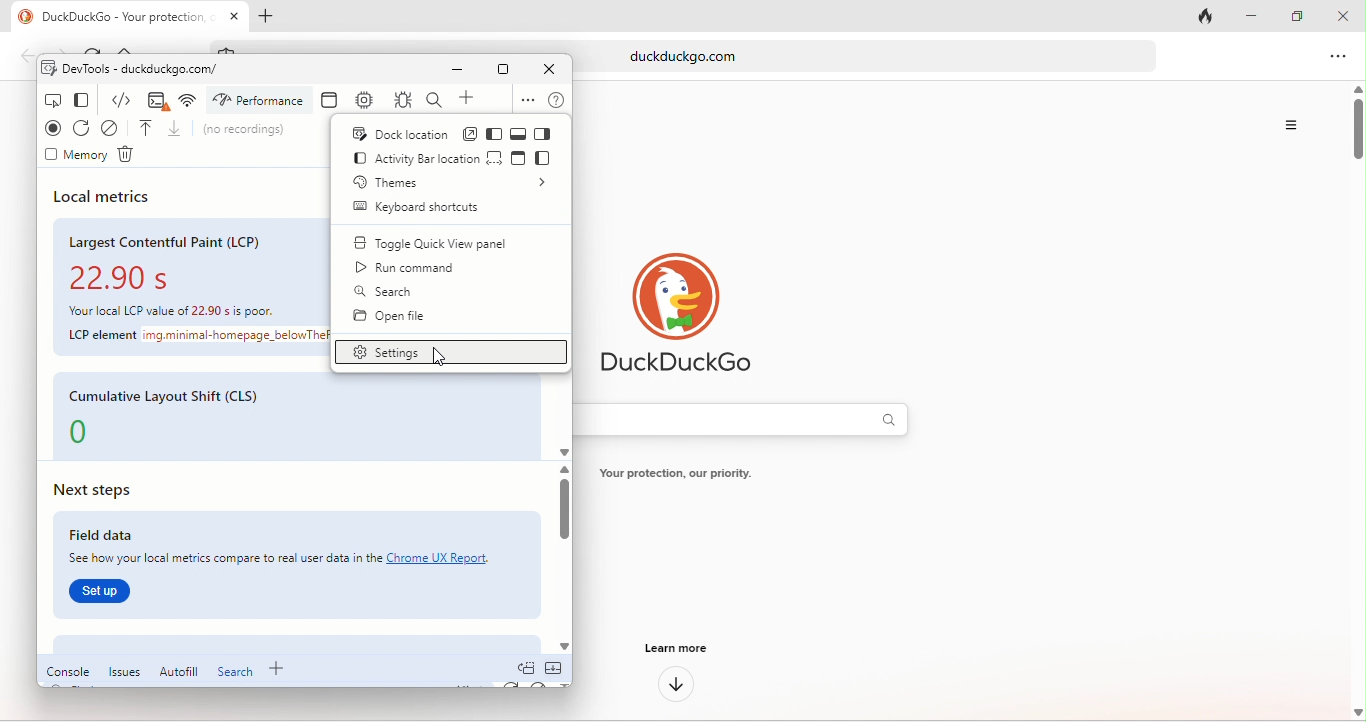 This screenshot has width=1366, height=722. I want to click on unload, so click(177, 129).